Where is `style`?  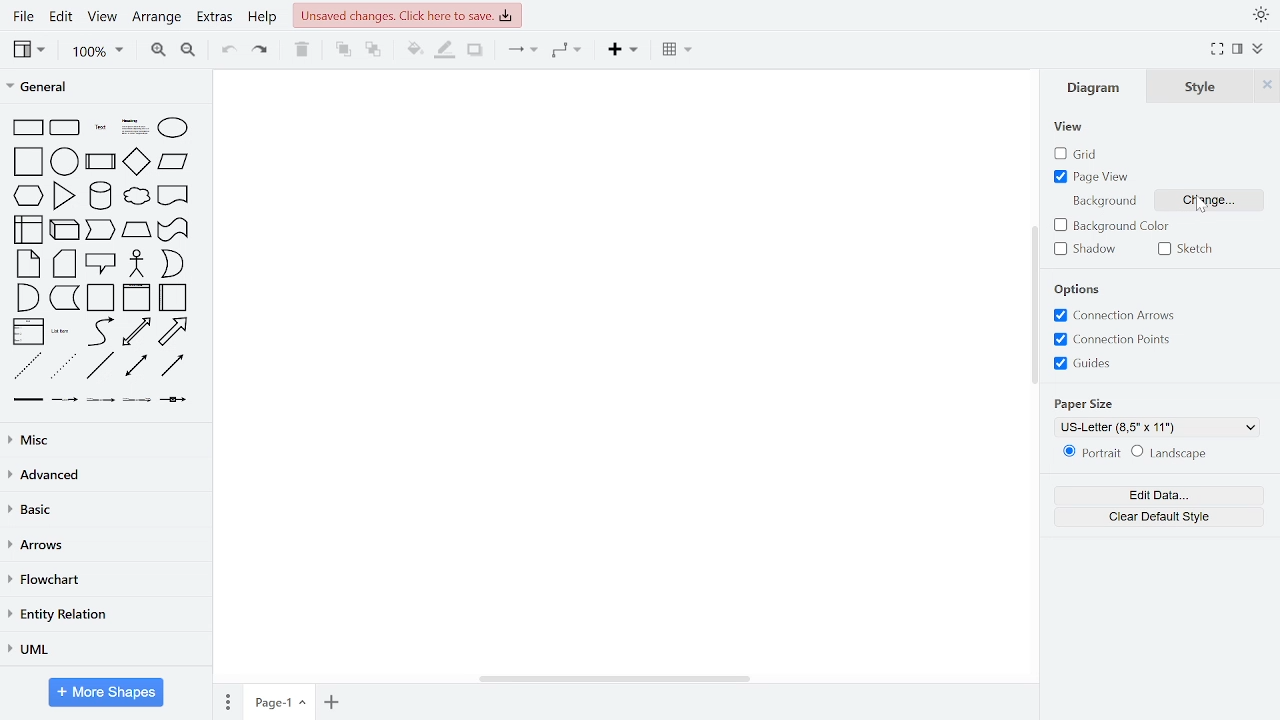 style is located at coordinates (1206, 86).